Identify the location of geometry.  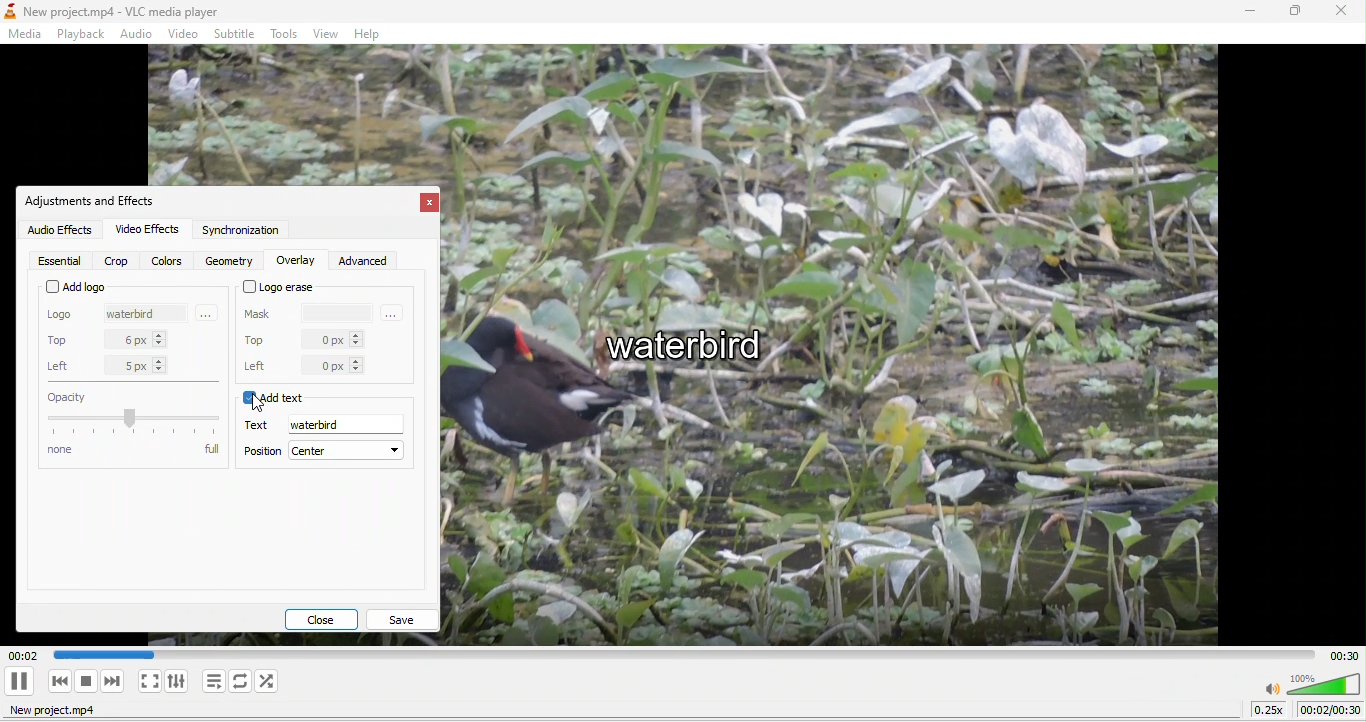
(228, 261).